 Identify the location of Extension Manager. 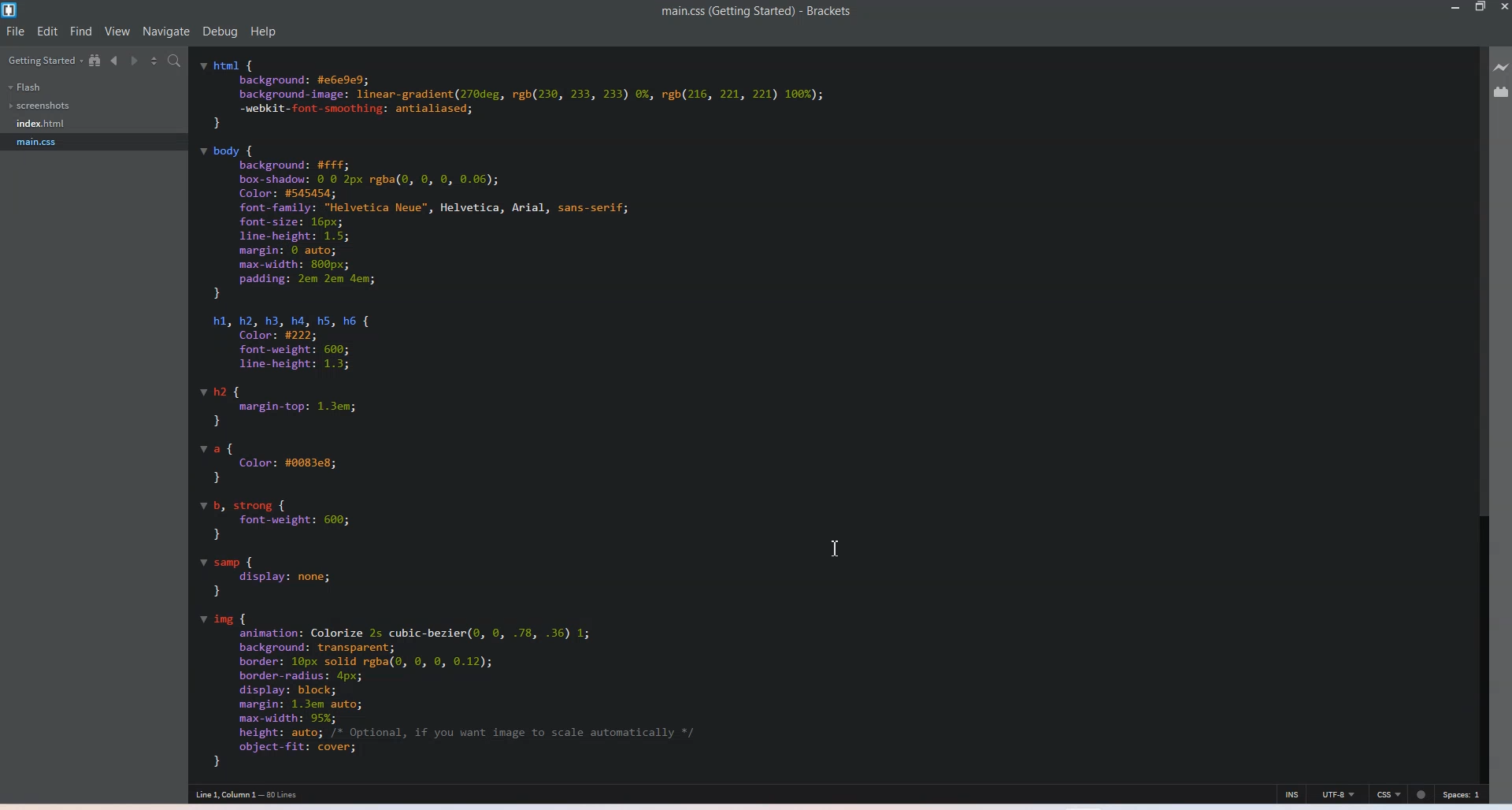
(1502, 91).